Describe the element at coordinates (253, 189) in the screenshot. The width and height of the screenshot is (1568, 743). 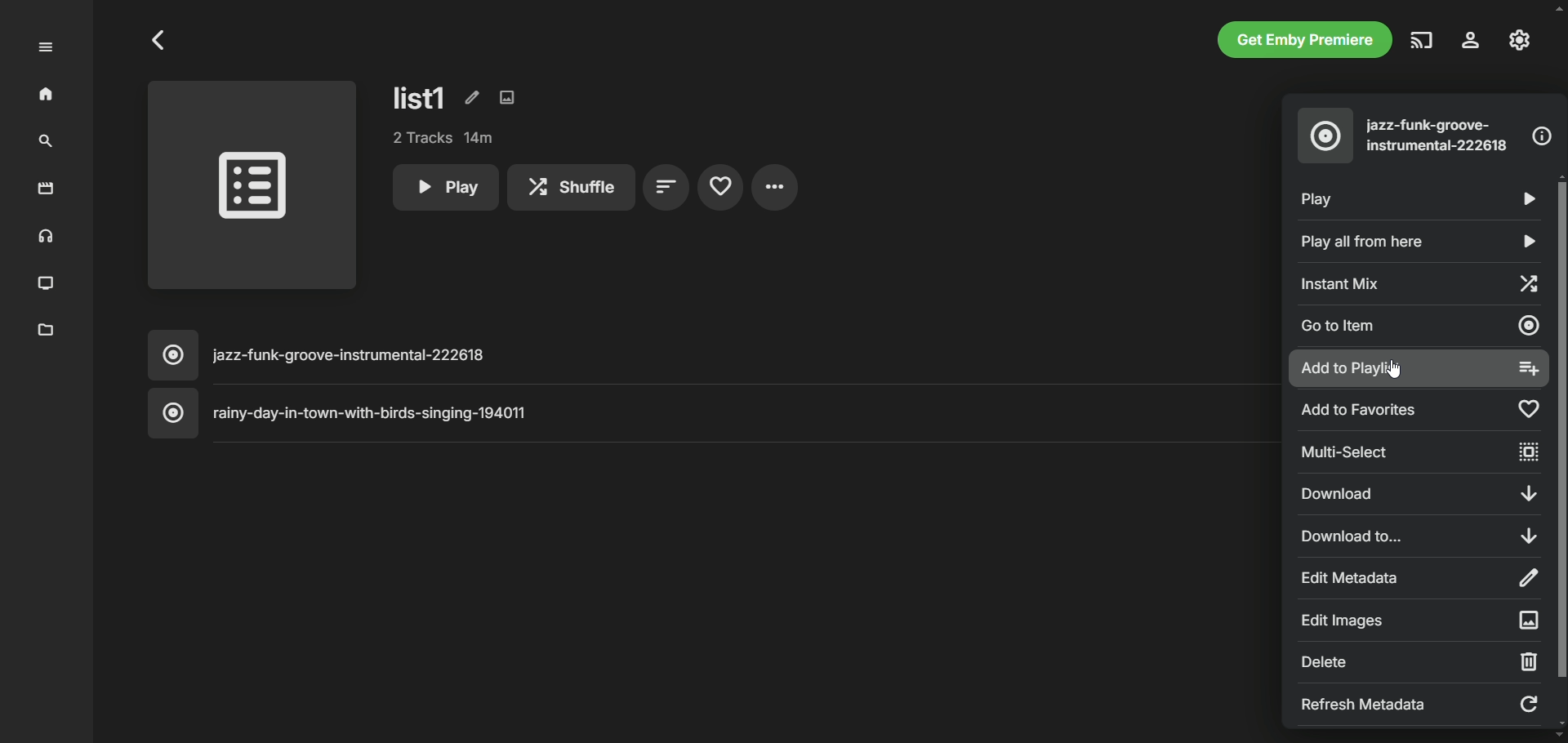
I see `playlist` at that location.